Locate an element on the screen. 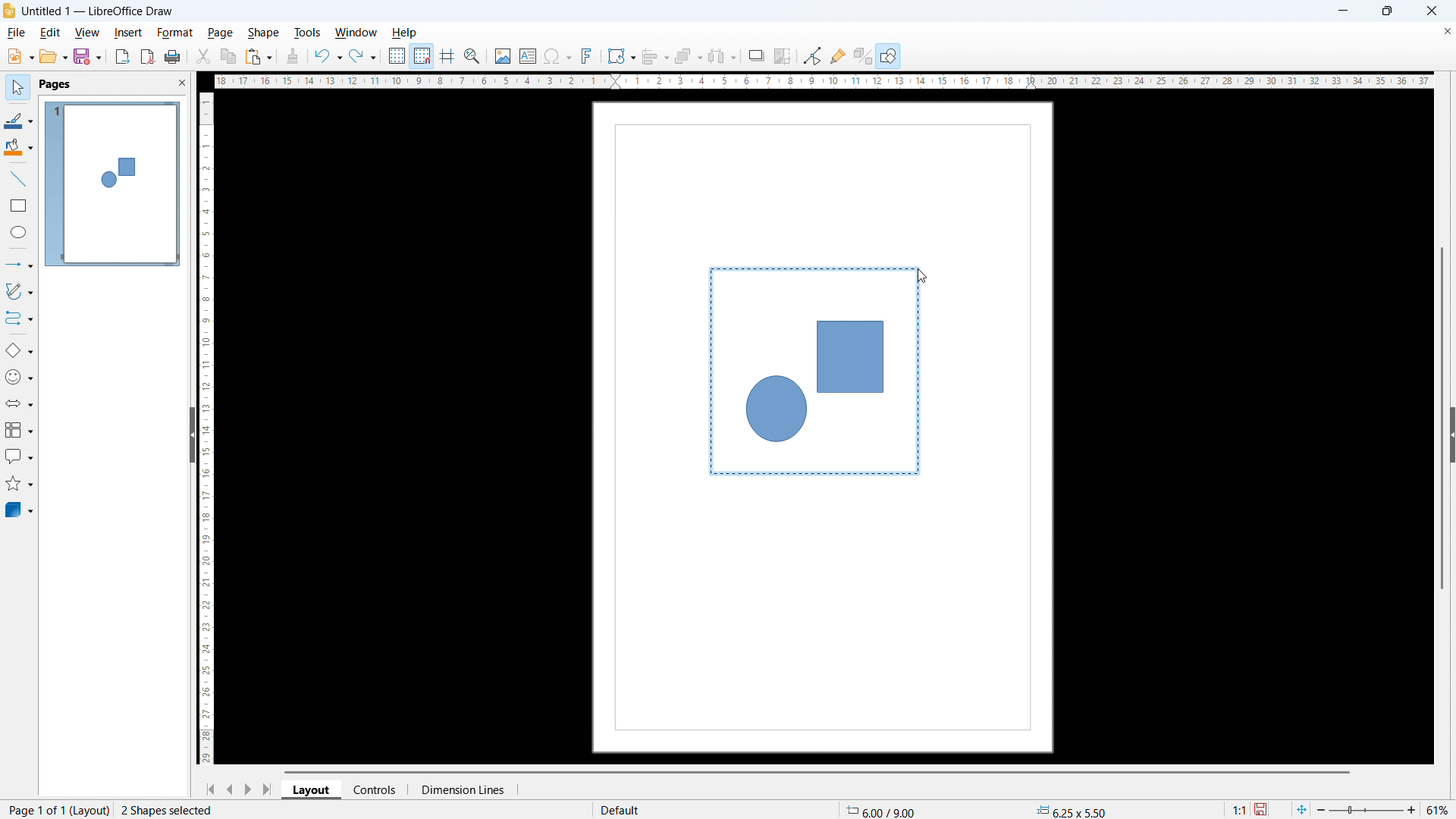 Image resolution: width=1456 pixels, height=819 pixels. toggle extrusion is located at coordinates (863, 56).